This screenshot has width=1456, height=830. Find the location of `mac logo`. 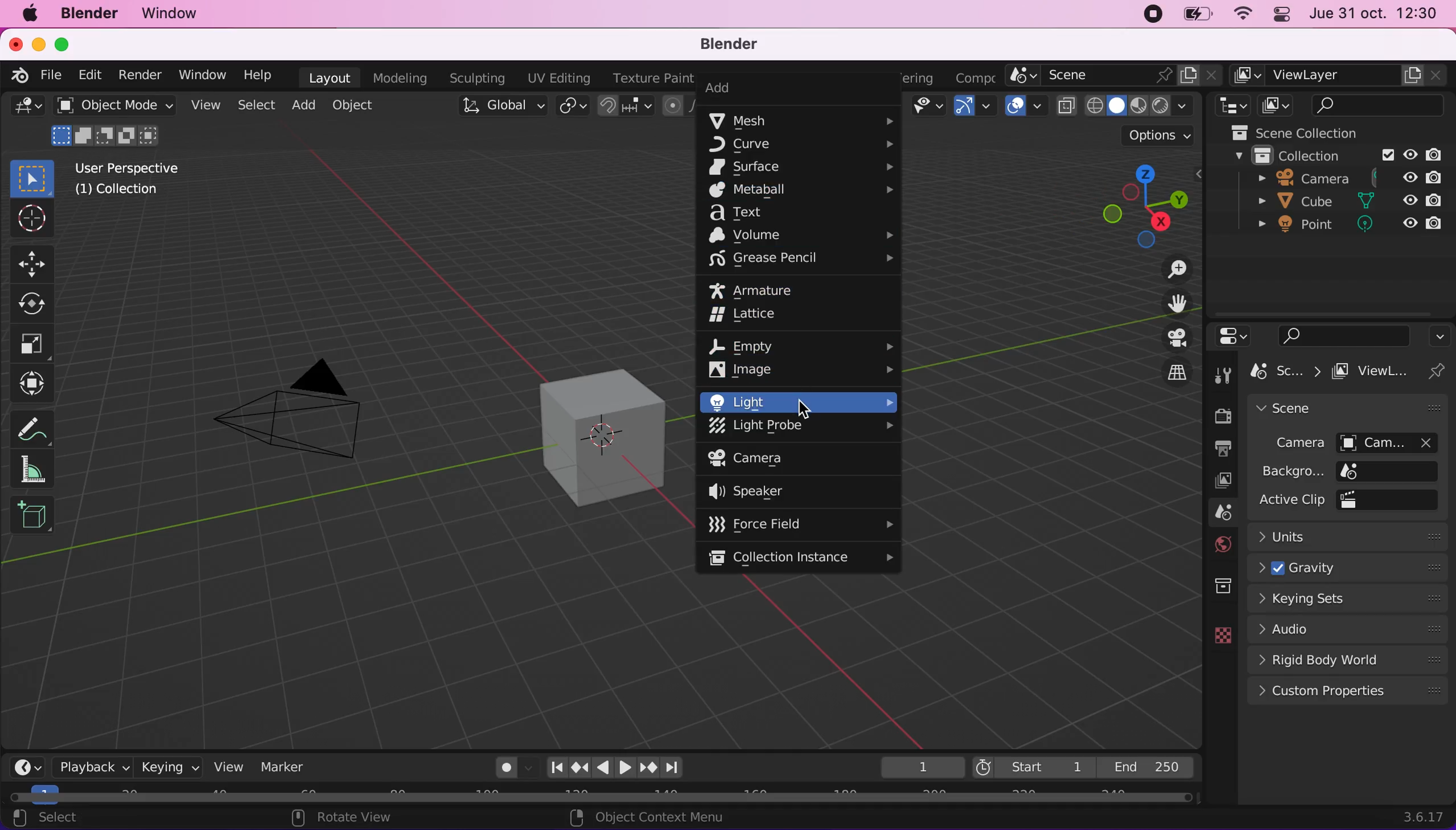

mac logo is located at coordinates (32, 15).